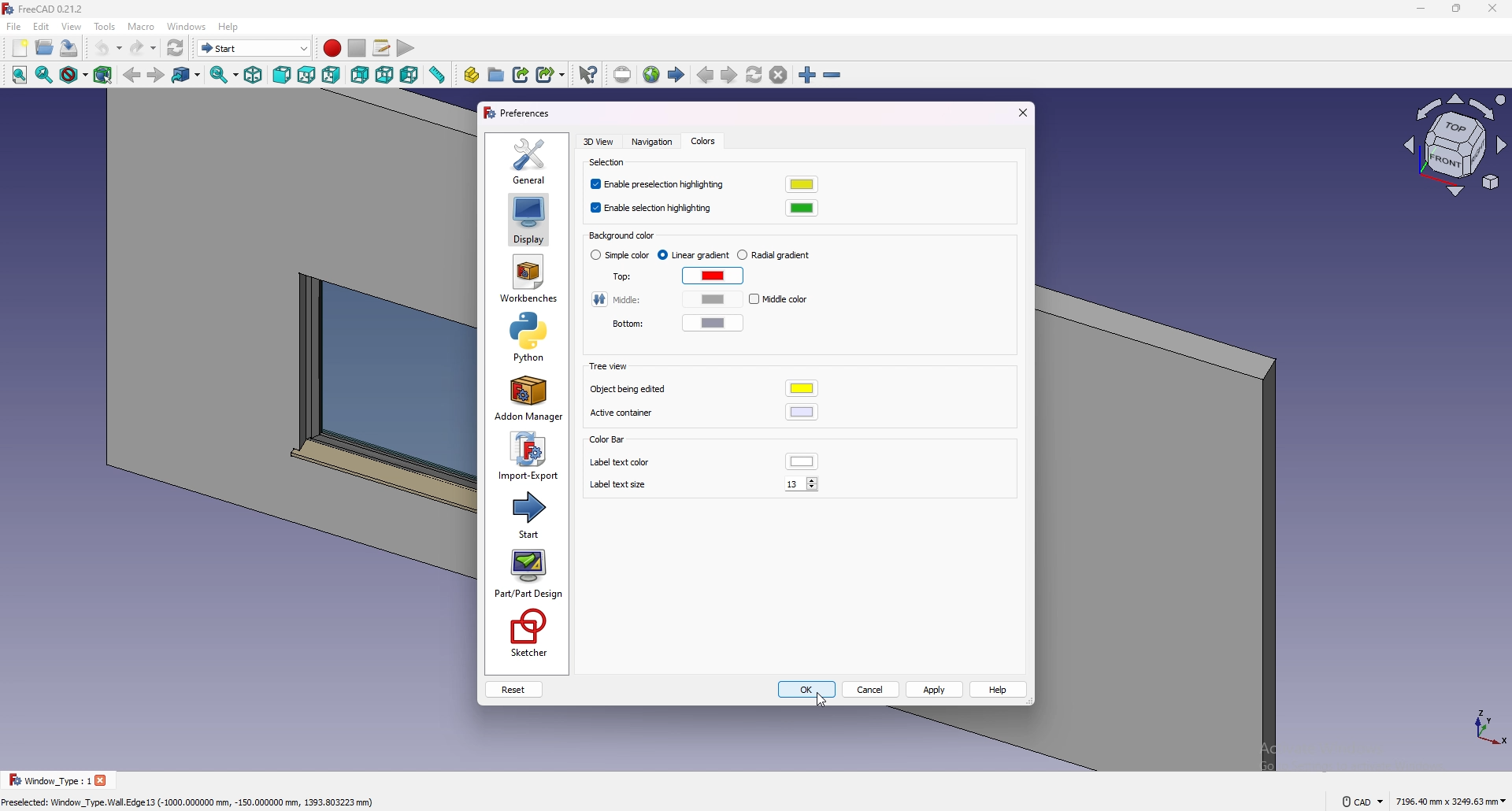  I want to click on stop recording macros, so click(357, 48).